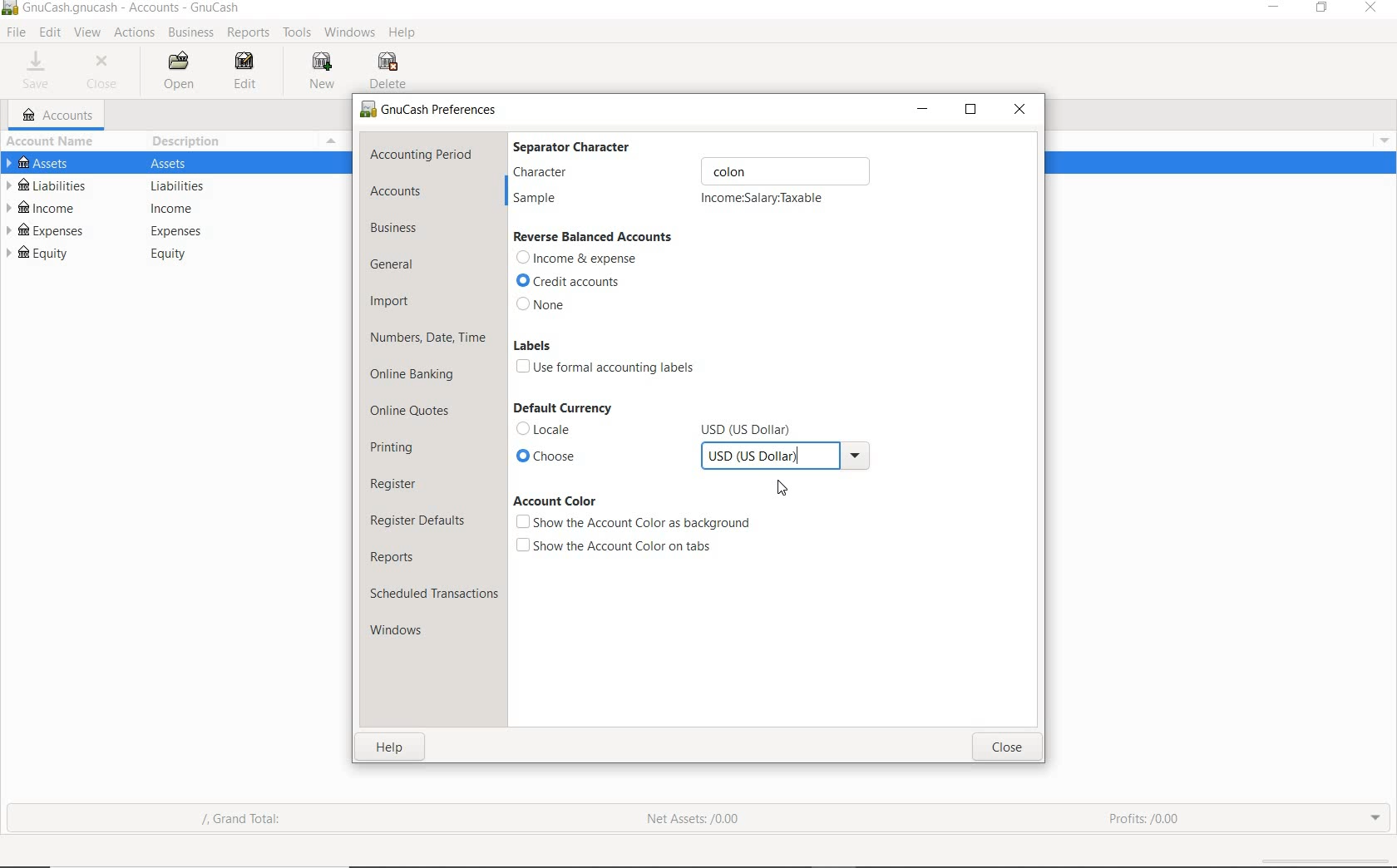  Describe the element at coordinates (763, 199) in the screenshot. I see `incomeSalary:Taxable` at that location.